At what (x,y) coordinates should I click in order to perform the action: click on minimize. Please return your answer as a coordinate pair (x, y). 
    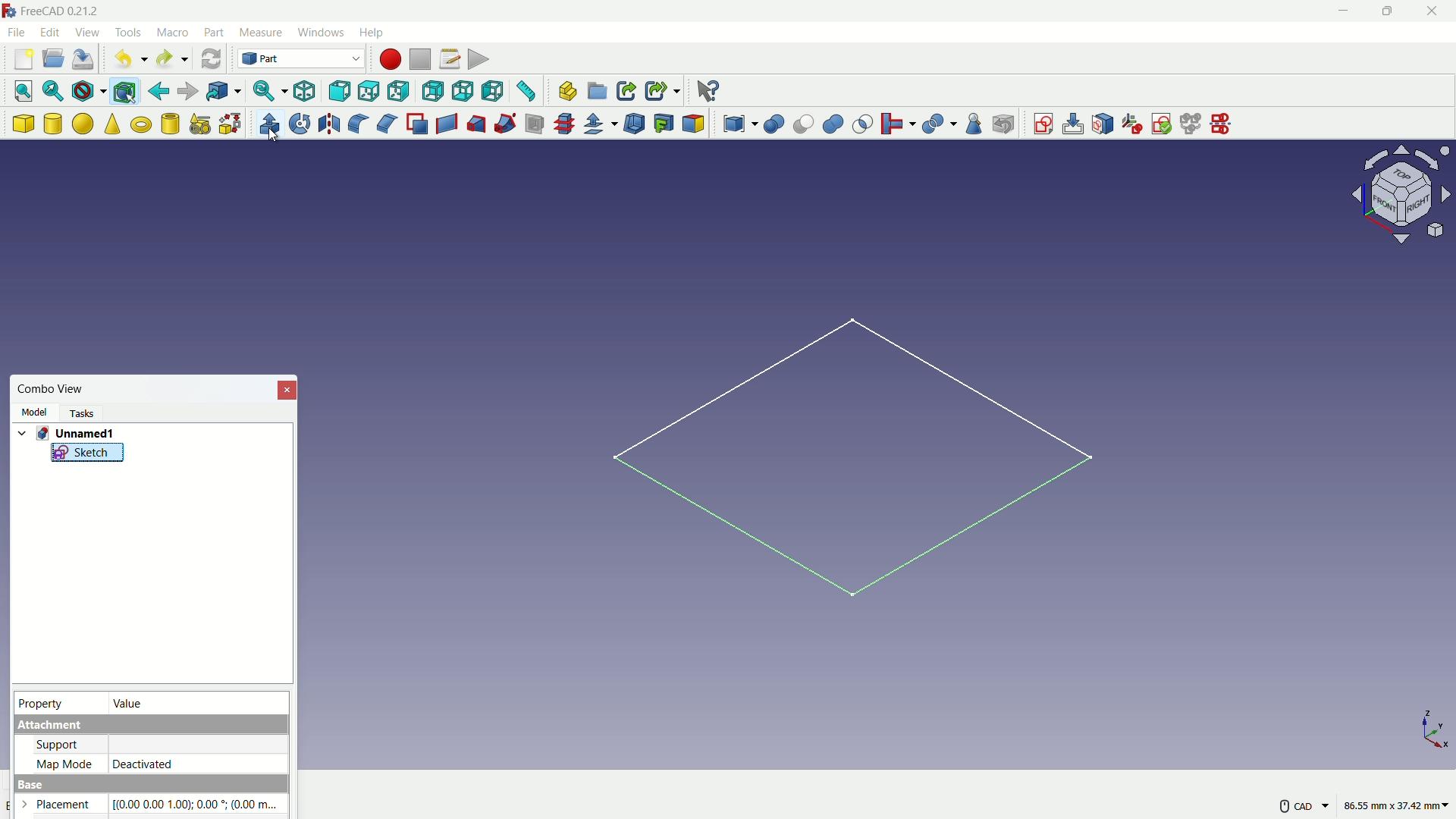
    Looking at the image, I should click on (1346, 11).